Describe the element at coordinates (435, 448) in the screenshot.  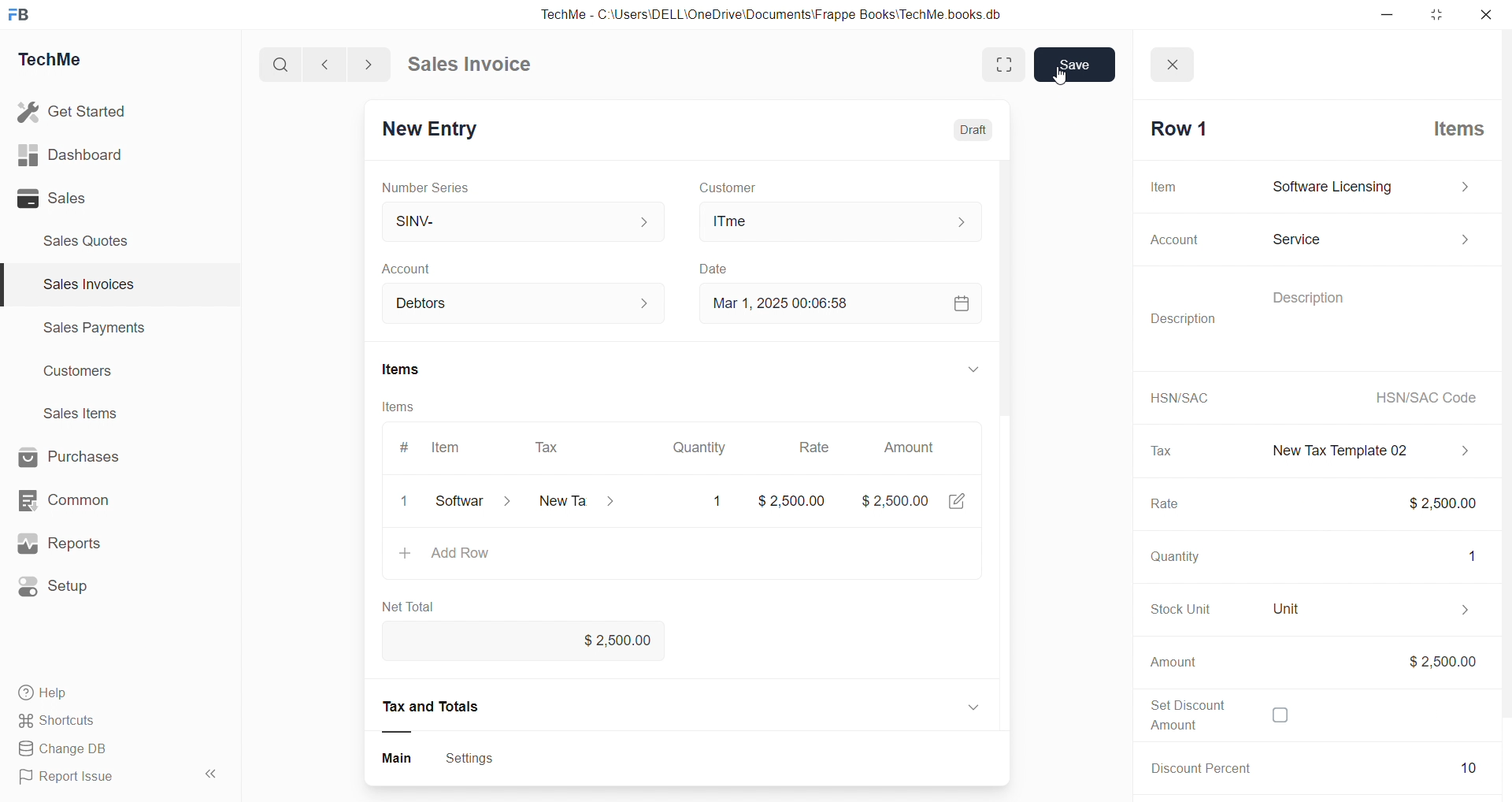
I see `# Item` at that location.